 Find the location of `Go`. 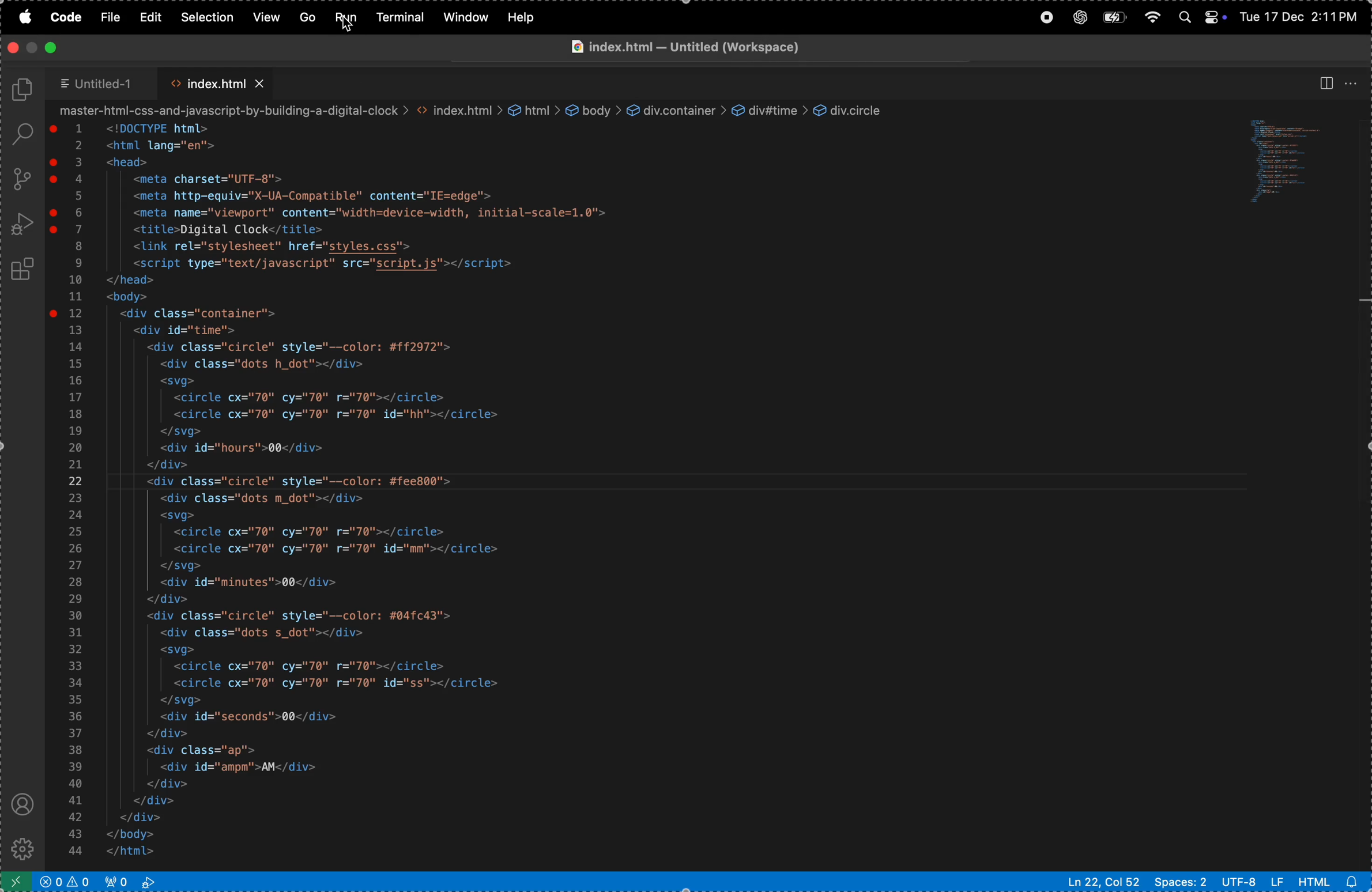

Go is located at coordinates (308, 18).